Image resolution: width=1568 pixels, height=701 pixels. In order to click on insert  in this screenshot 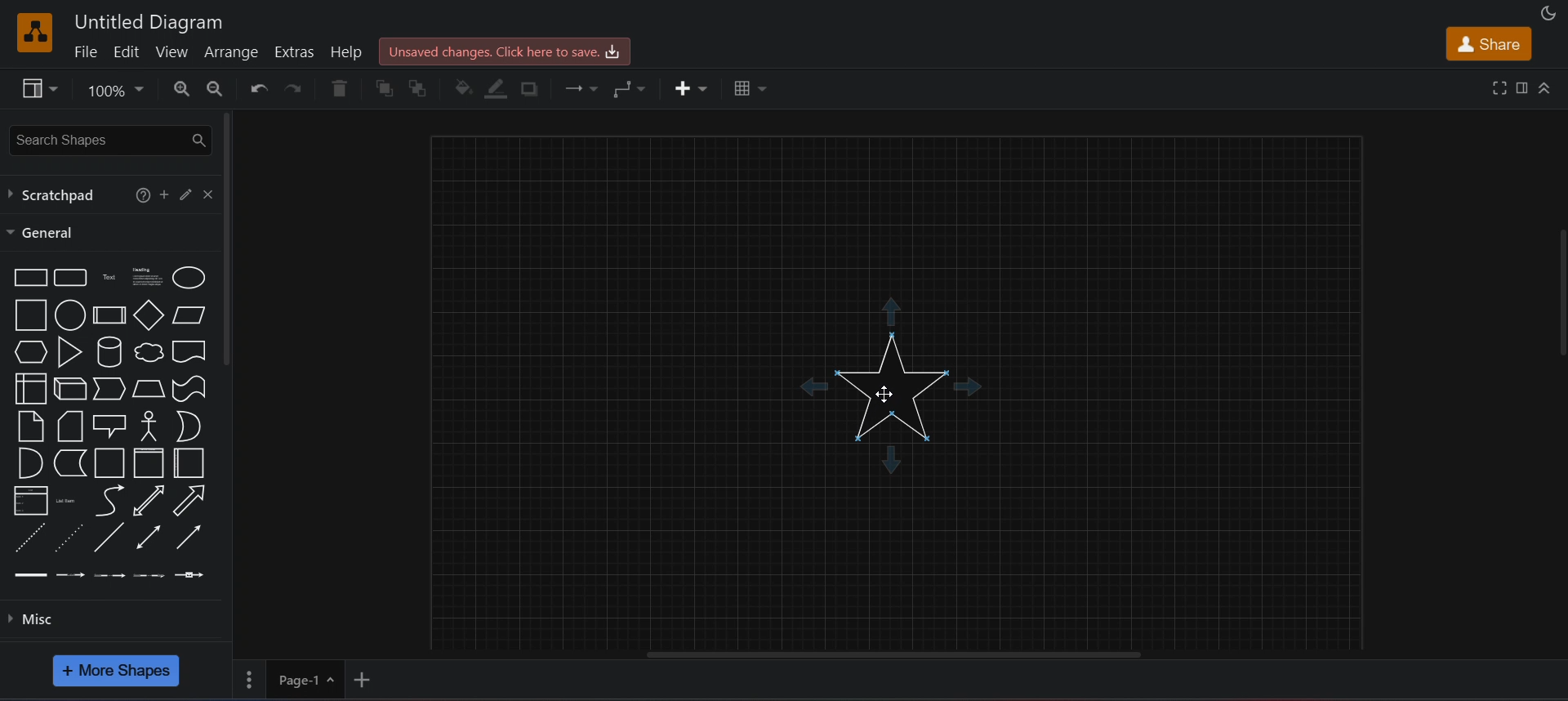, I will do `click(692, 90)`.